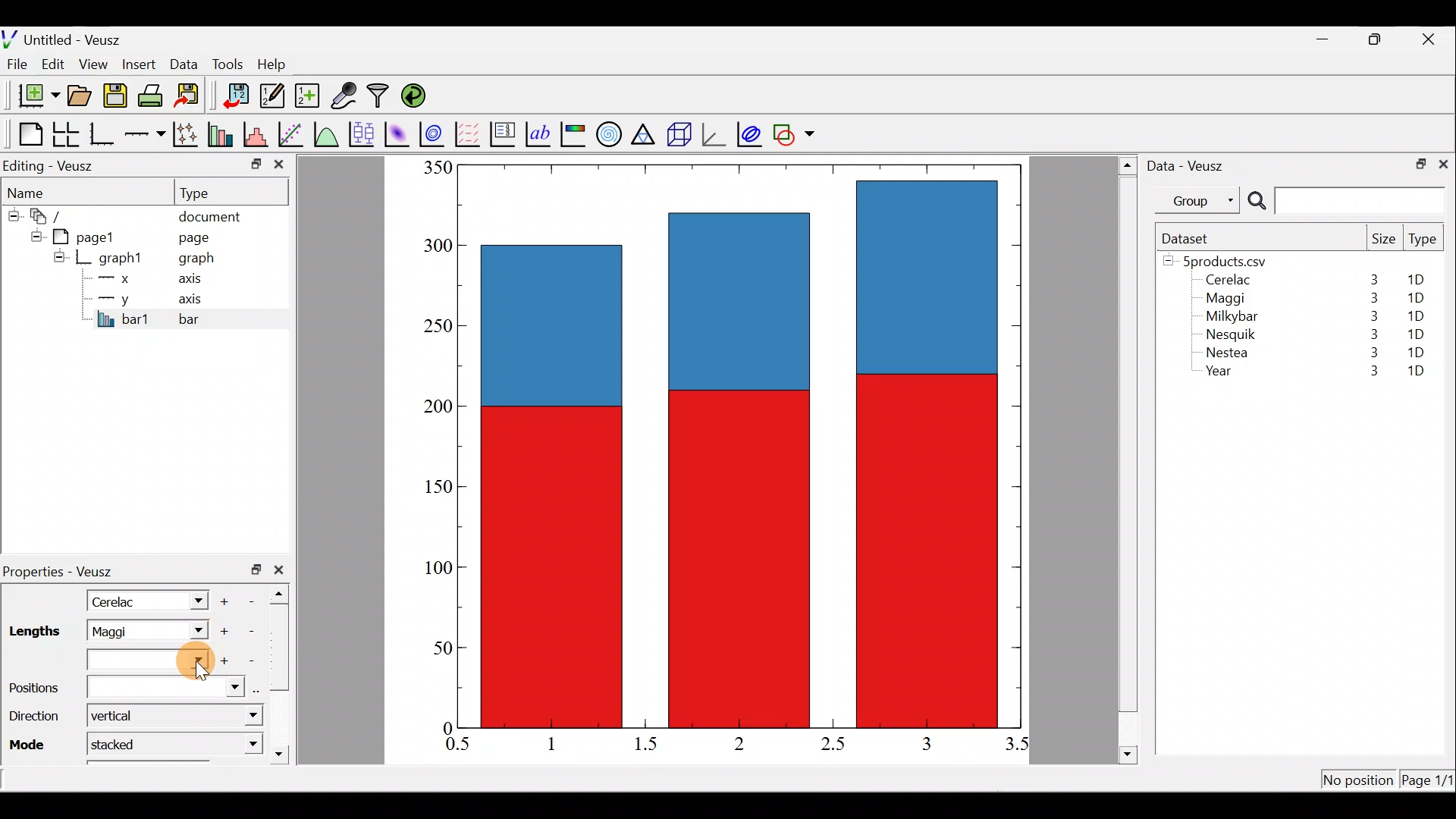 This screenshot has height=819, width=1456. Describe the element at coordinates (431, 651) in the screenshot. I see `50` at that location.